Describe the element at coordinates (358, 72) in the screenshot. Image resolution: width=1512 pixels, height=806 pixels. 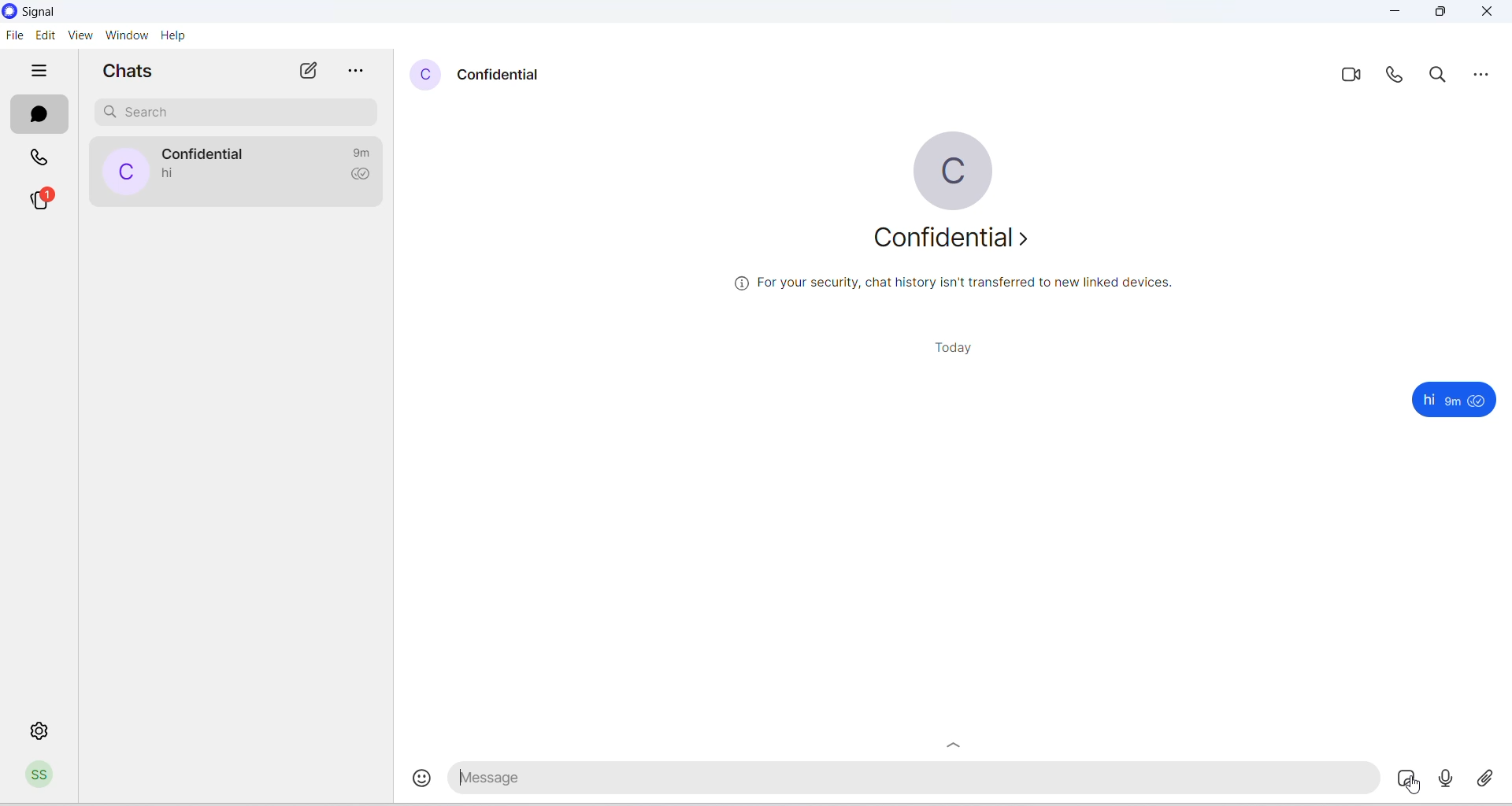
I see `more option` at that location.